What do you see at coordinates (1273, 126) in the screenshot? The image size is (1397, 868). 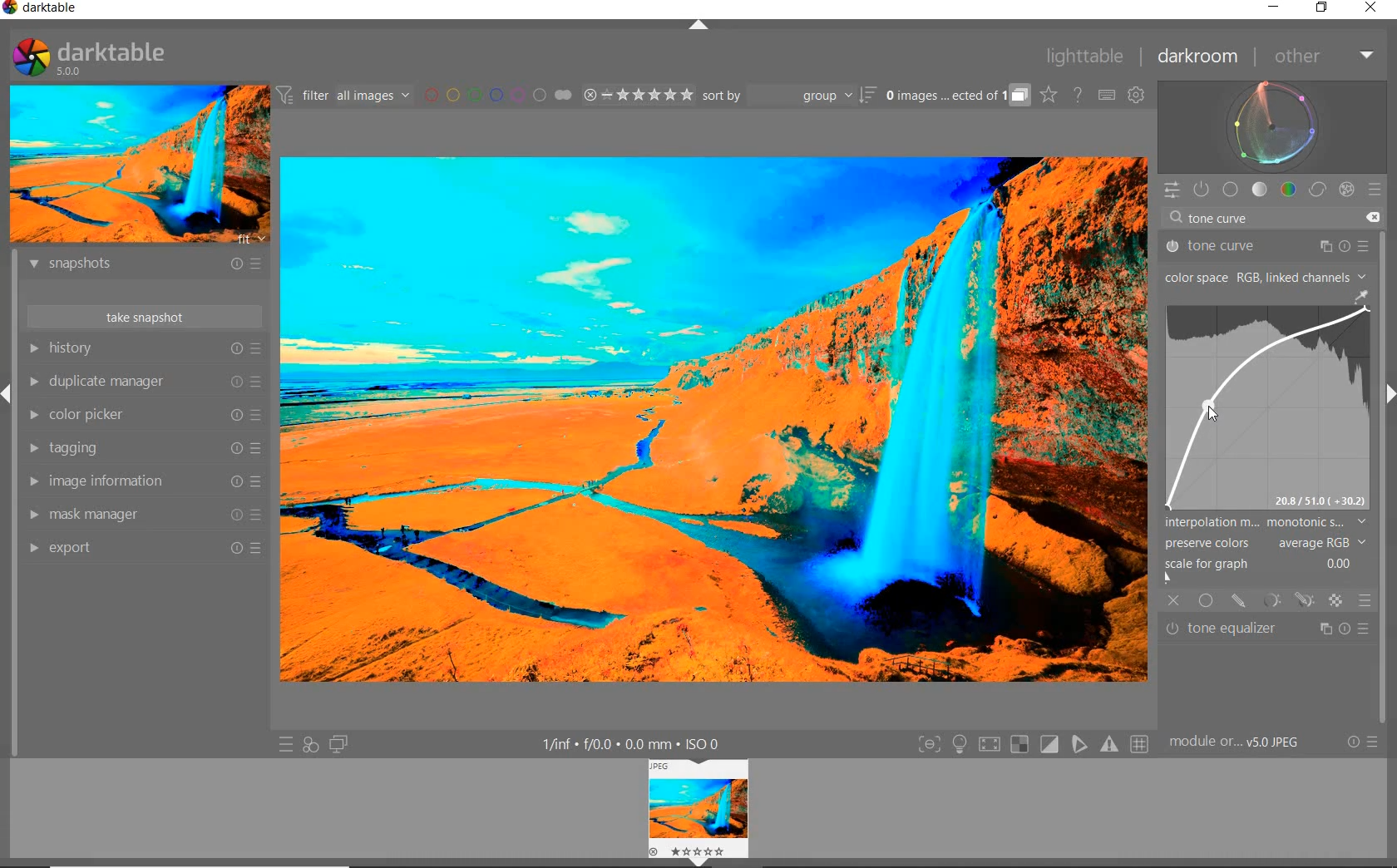 I see `waveform` at bounding box center [1273, 126].